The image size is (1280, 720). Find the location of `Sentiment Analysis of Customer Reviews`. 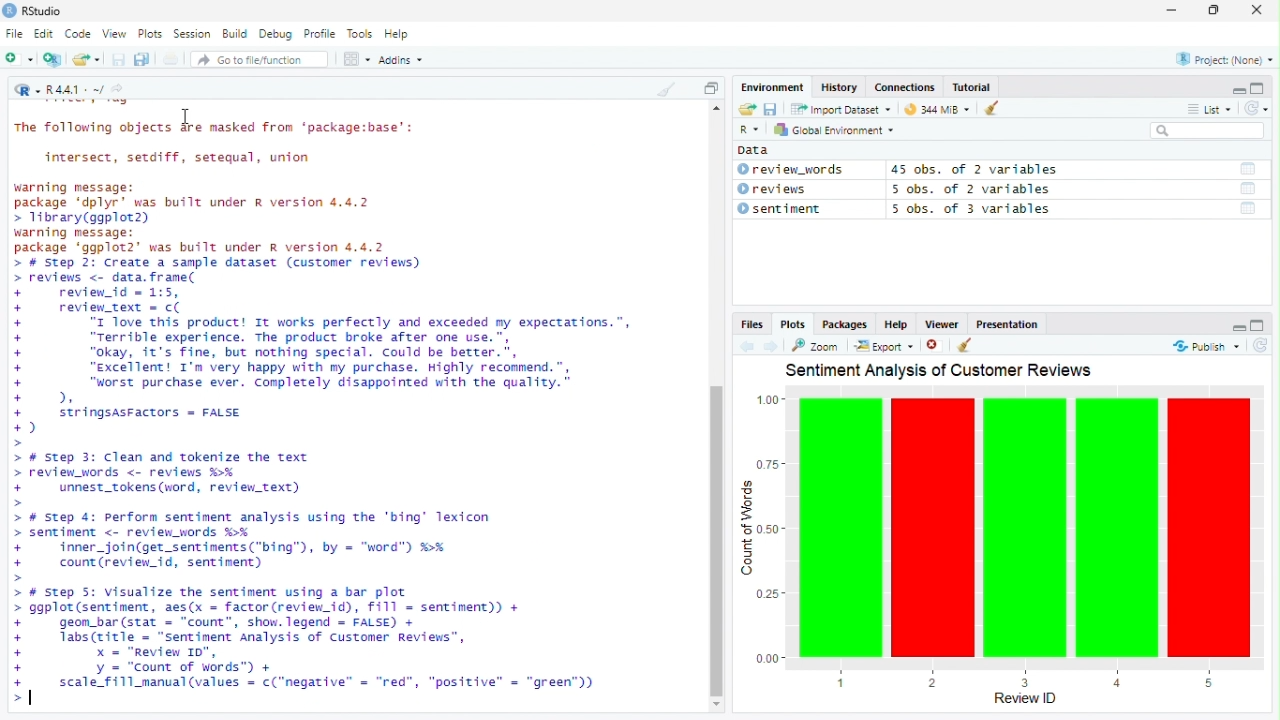

Sentiment Analysis of Customer Reviews is located at coordinates (941, 369).